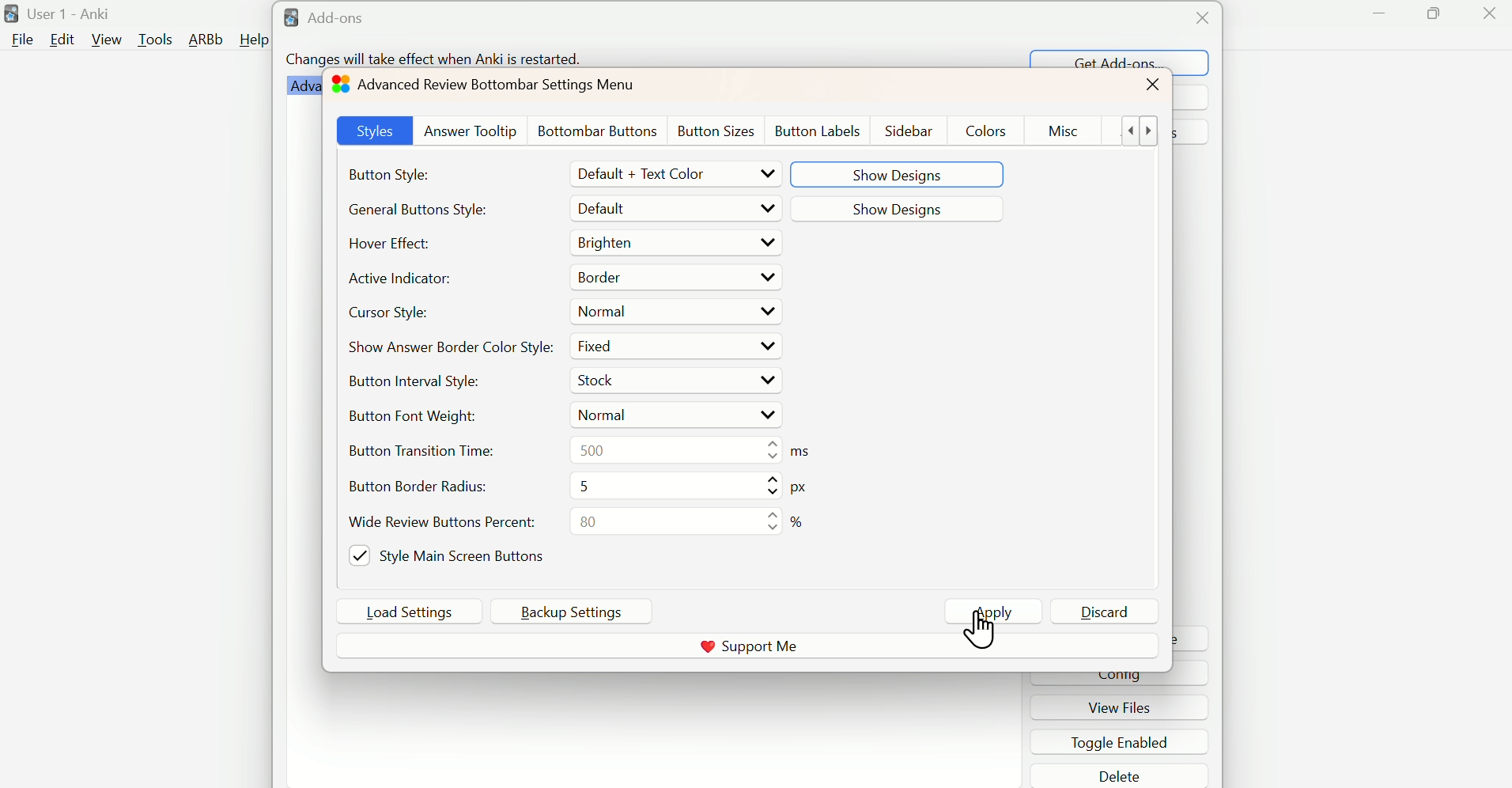 This screenshot has width=1512, height=788. Describe the element at coordinates (599, 453) in the screenshot. I see `500` at that location.